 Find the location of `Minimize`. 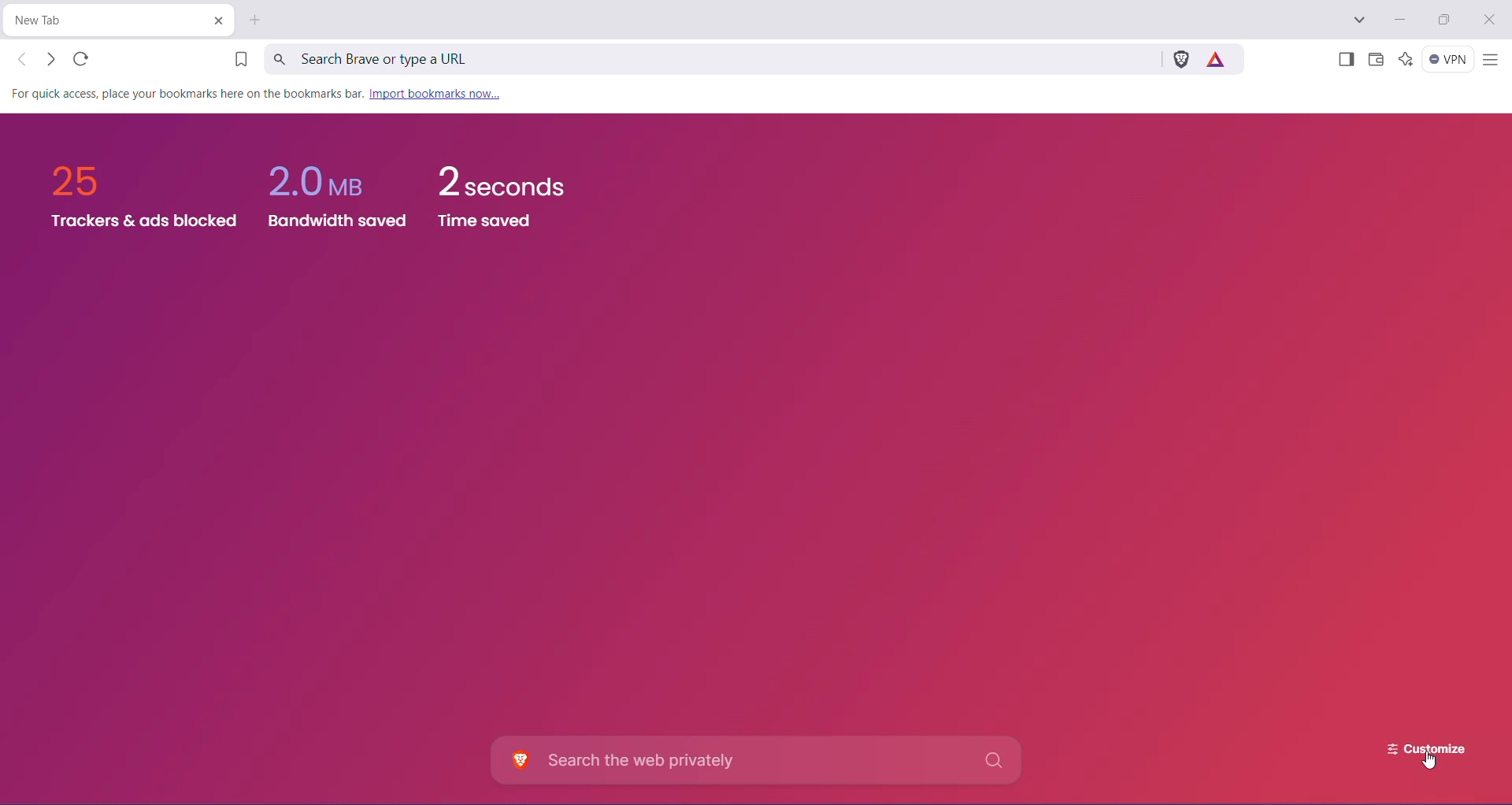

Minimize is located at coordinates (1399, 20).